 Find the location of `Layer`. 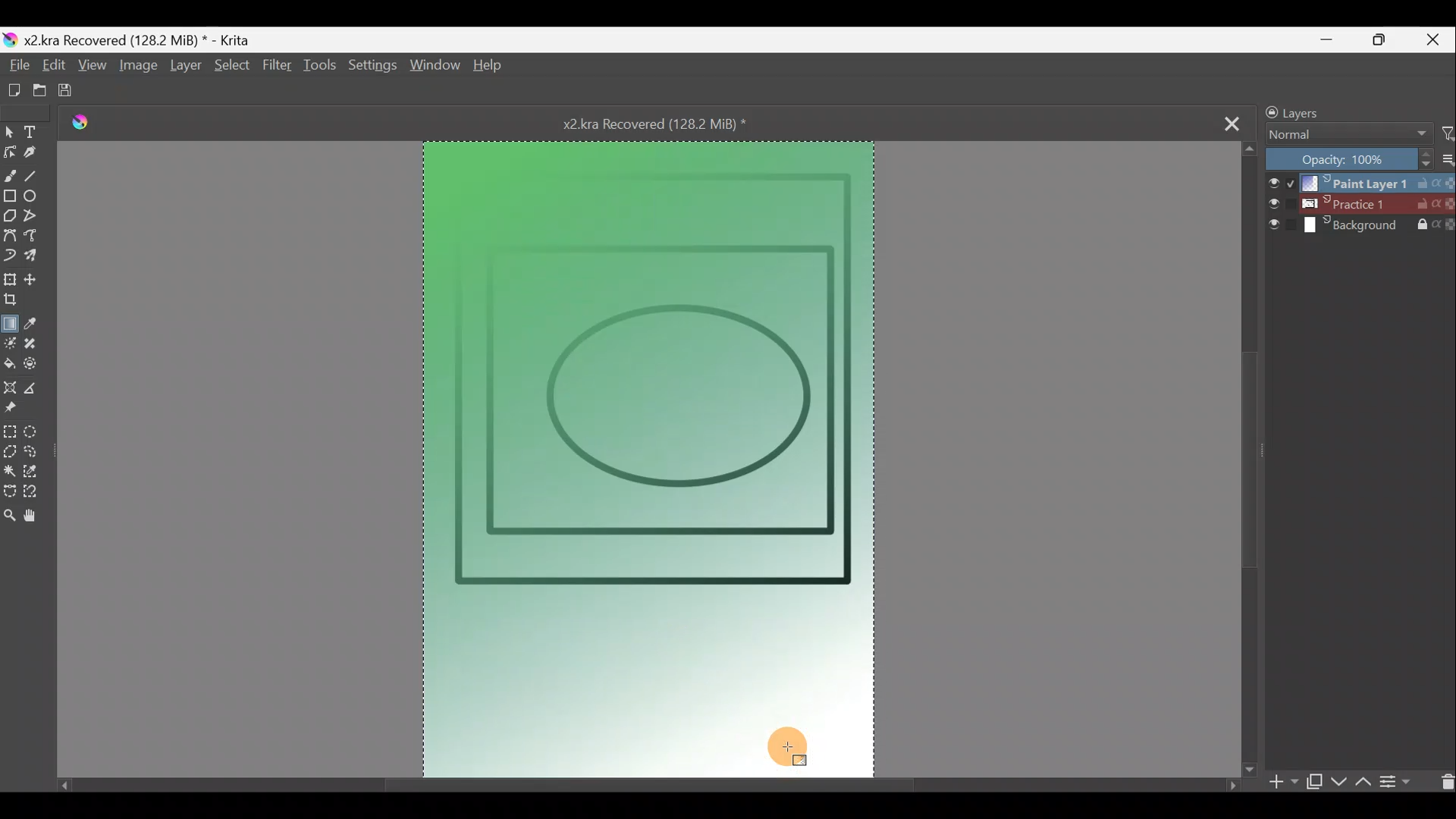

Layer is located at coordinates (185, 68).